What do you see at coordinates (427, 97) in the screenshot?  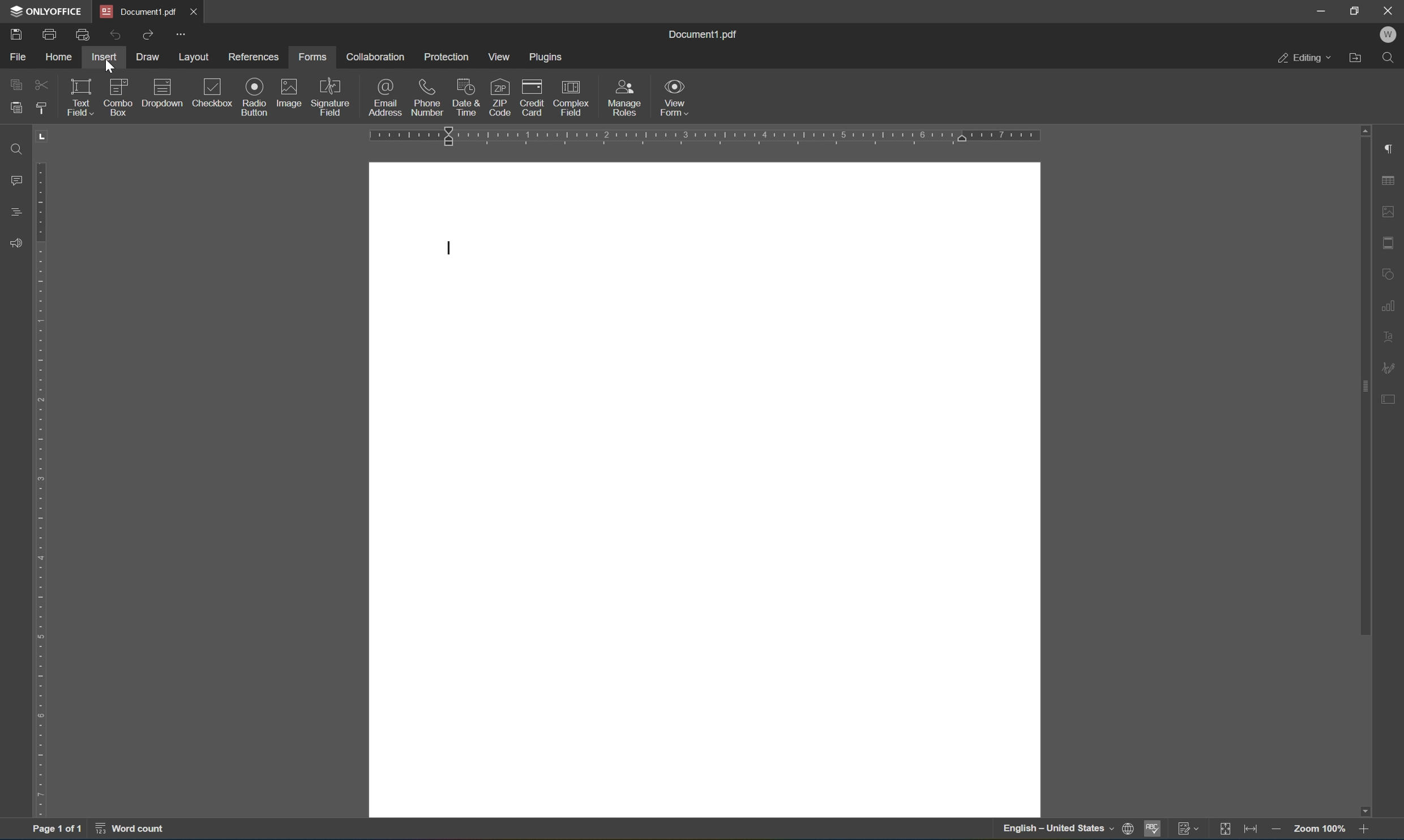 I see `phone number` at bounding box center [427, 97].